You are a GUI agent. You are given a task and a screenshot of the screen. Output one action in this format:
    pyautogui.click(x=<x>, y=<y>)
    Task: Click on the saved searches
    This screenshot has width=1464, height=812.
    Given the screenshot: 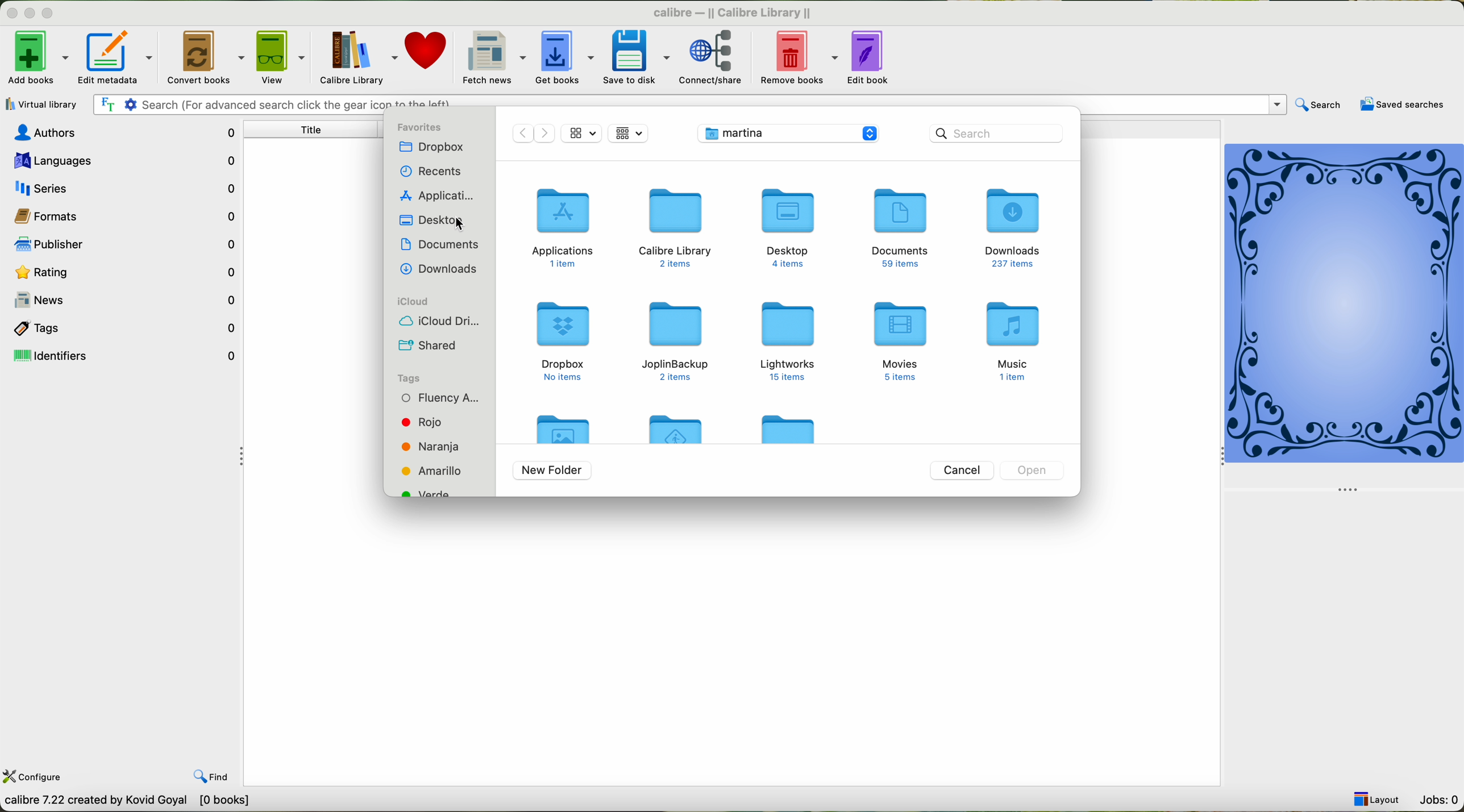 What is the action you would take?
    pyautogui.click(x=1403, y=106)
    